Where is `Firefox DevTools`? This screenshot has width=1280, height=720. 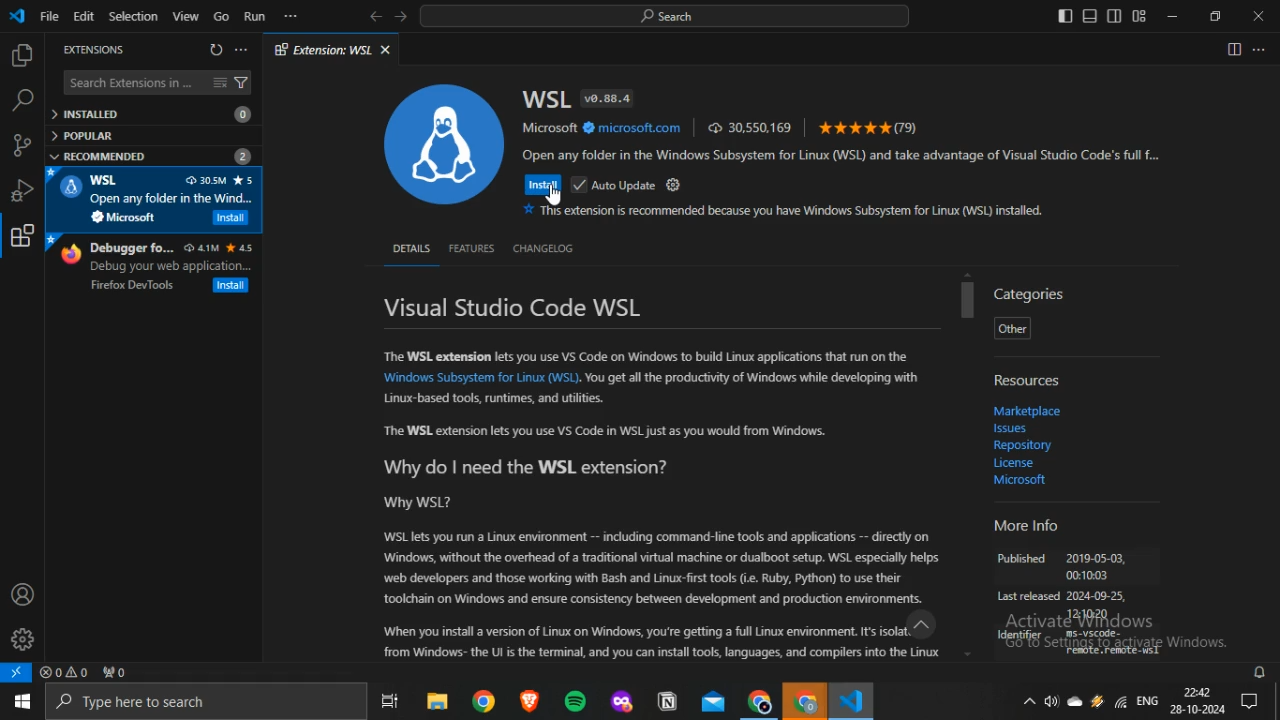
Firefox DevTools is located at coordinates (133, 286).